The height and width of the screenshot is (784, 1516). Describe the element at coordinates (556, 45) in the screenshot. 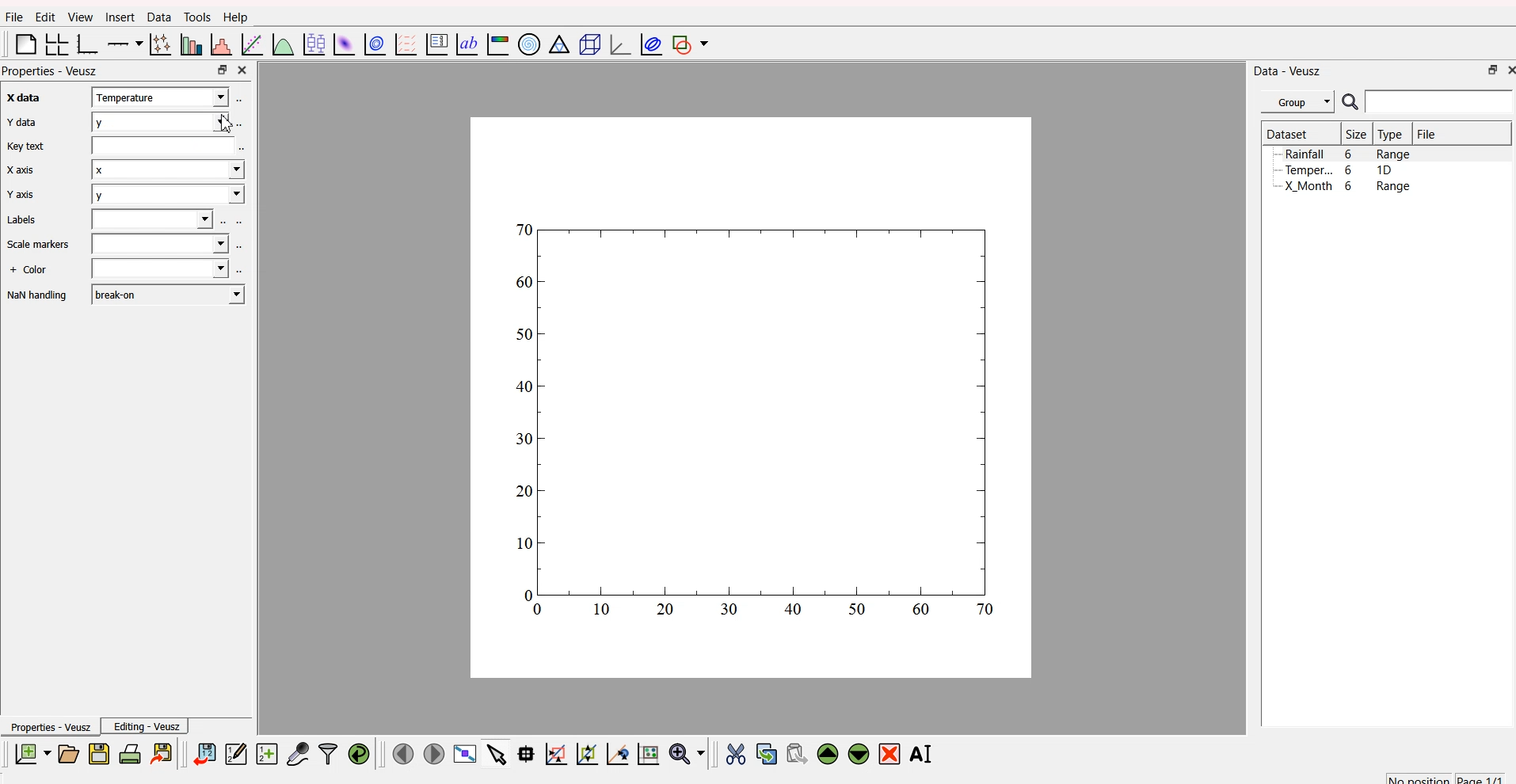

I see `Ternary graph` at that location.